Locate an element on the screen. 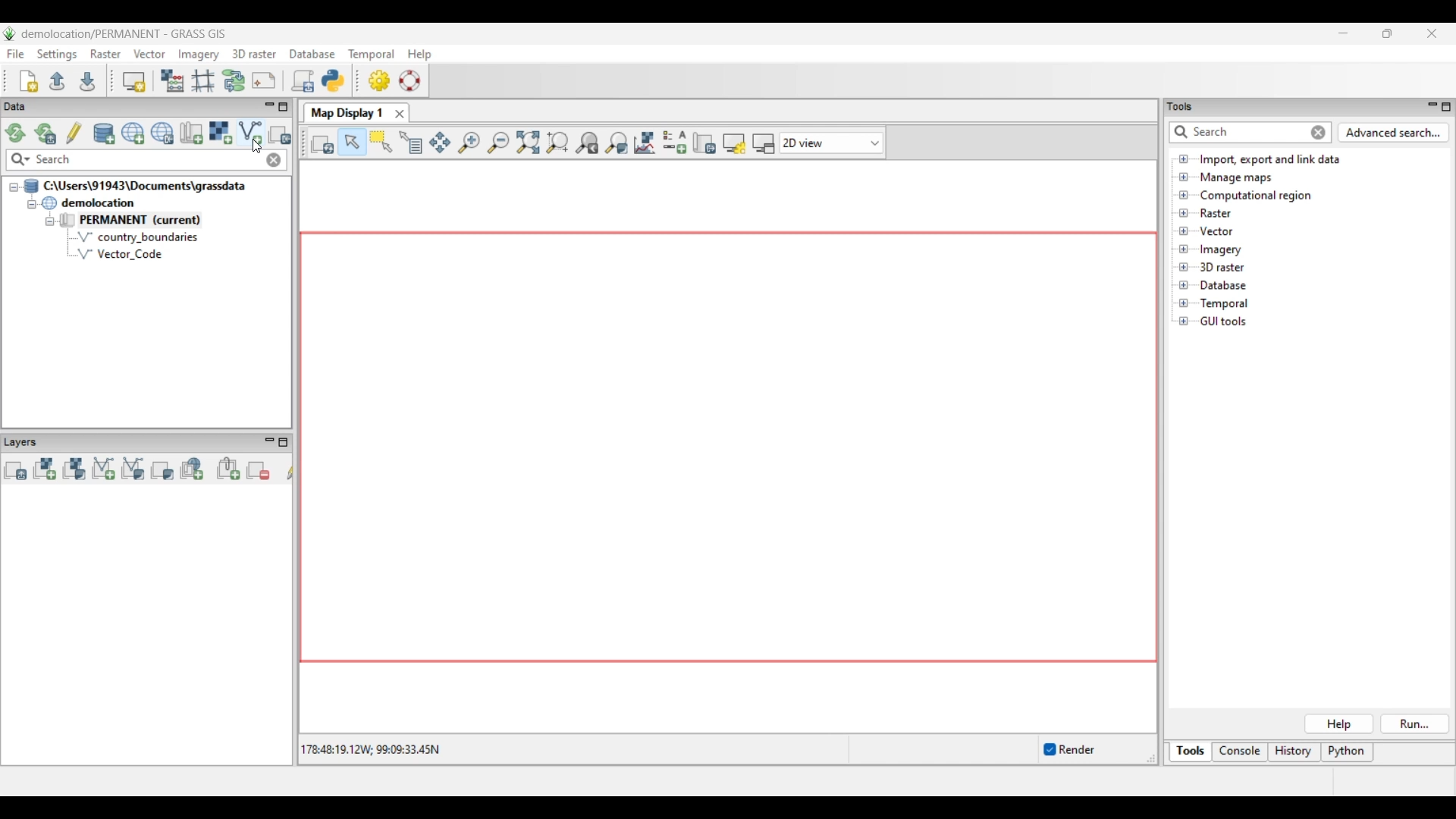 The width and height of the screenshot is (1456, 819). Remove selected map layer(s) from layer tree is located at coordinates (259, 469).